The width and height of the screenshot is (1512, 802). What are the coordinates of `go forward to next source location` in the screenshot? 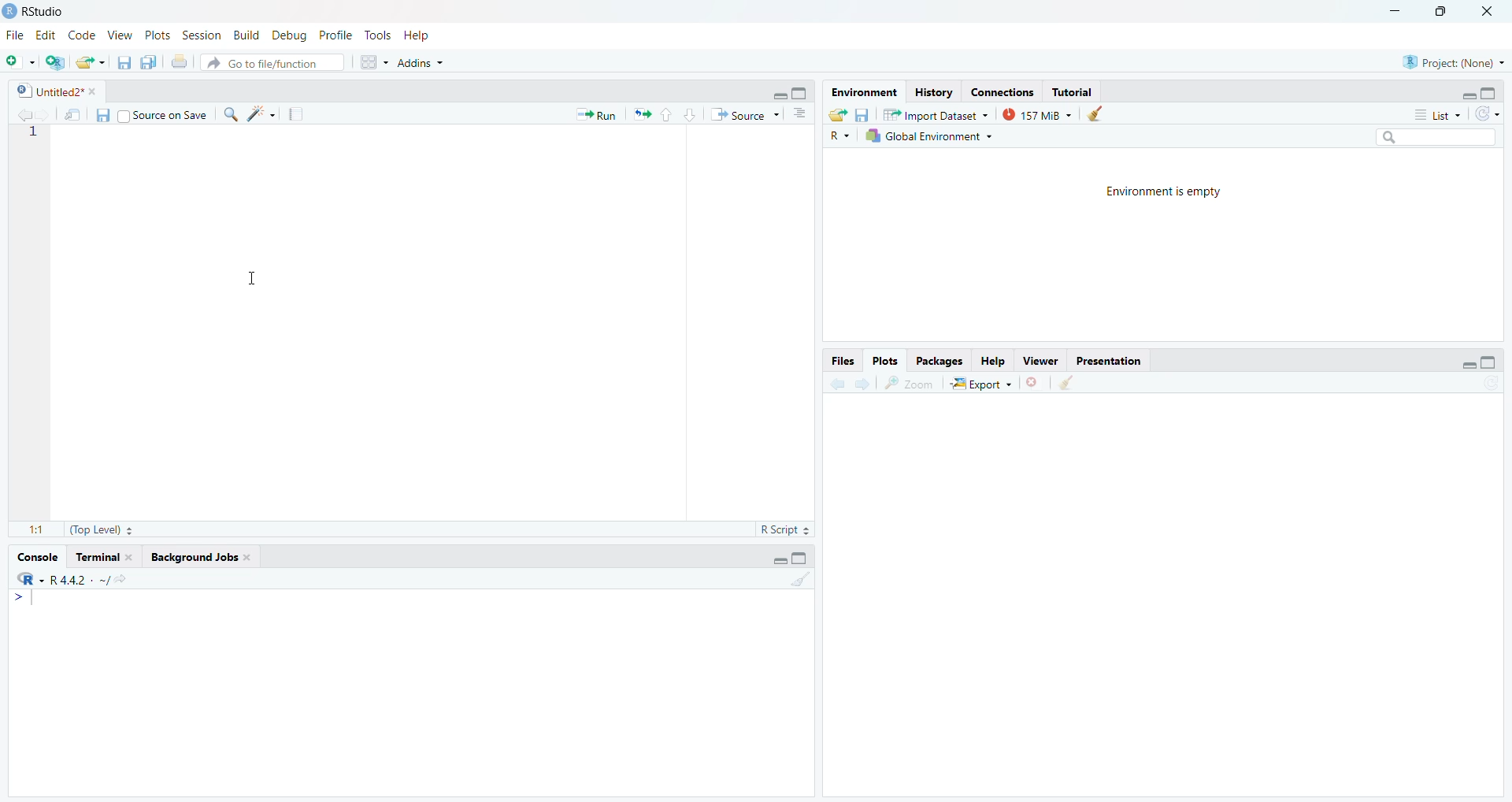 It's located at (46, 114).